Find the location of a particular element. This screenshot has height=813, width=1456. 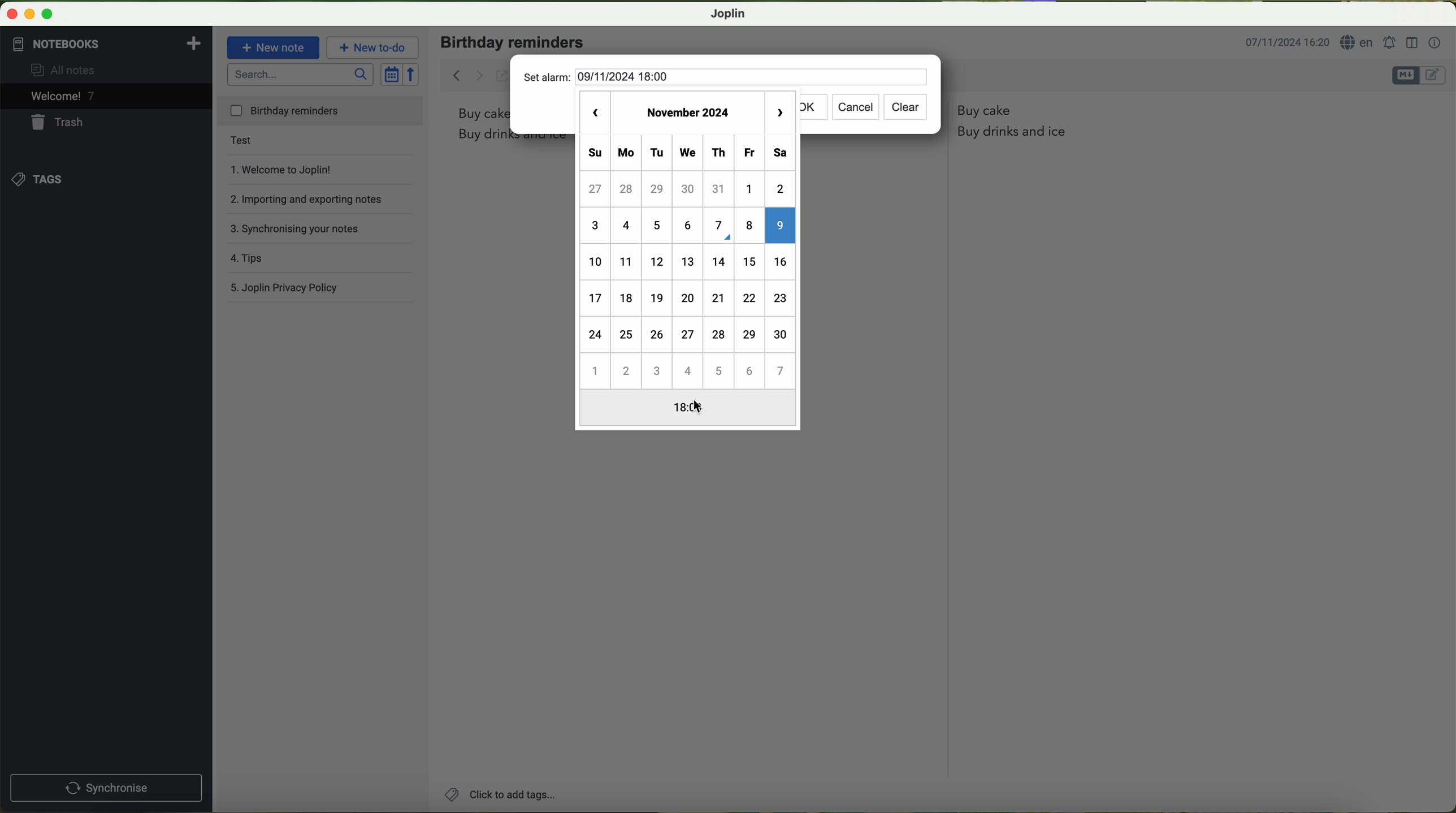

trash is located at coordinates (62, 123).